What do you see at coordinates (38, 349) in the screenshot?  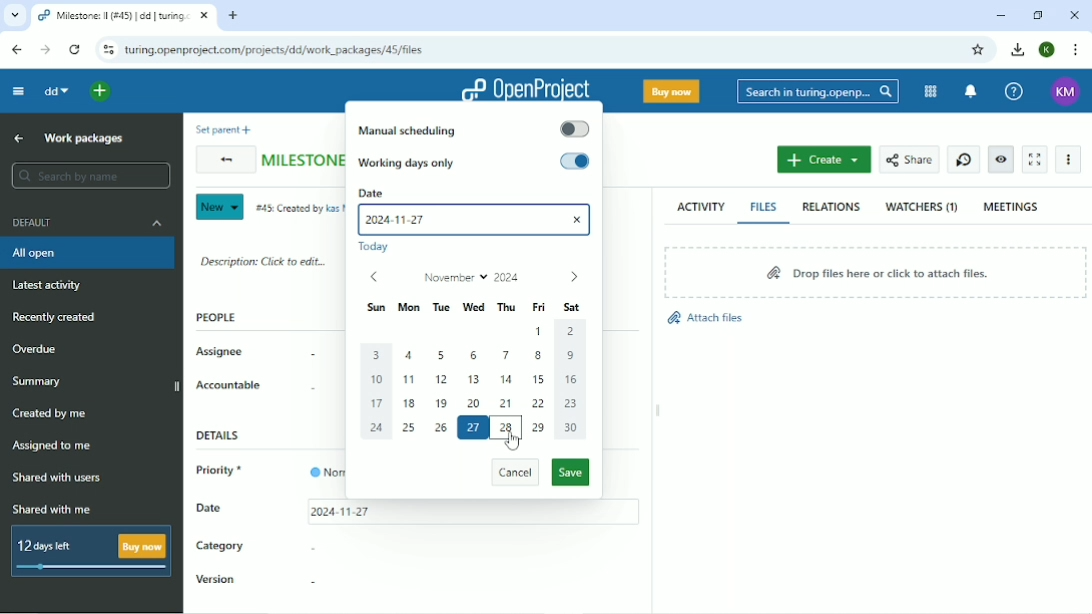 I see `Overdue` at bounding box center [38, 349].